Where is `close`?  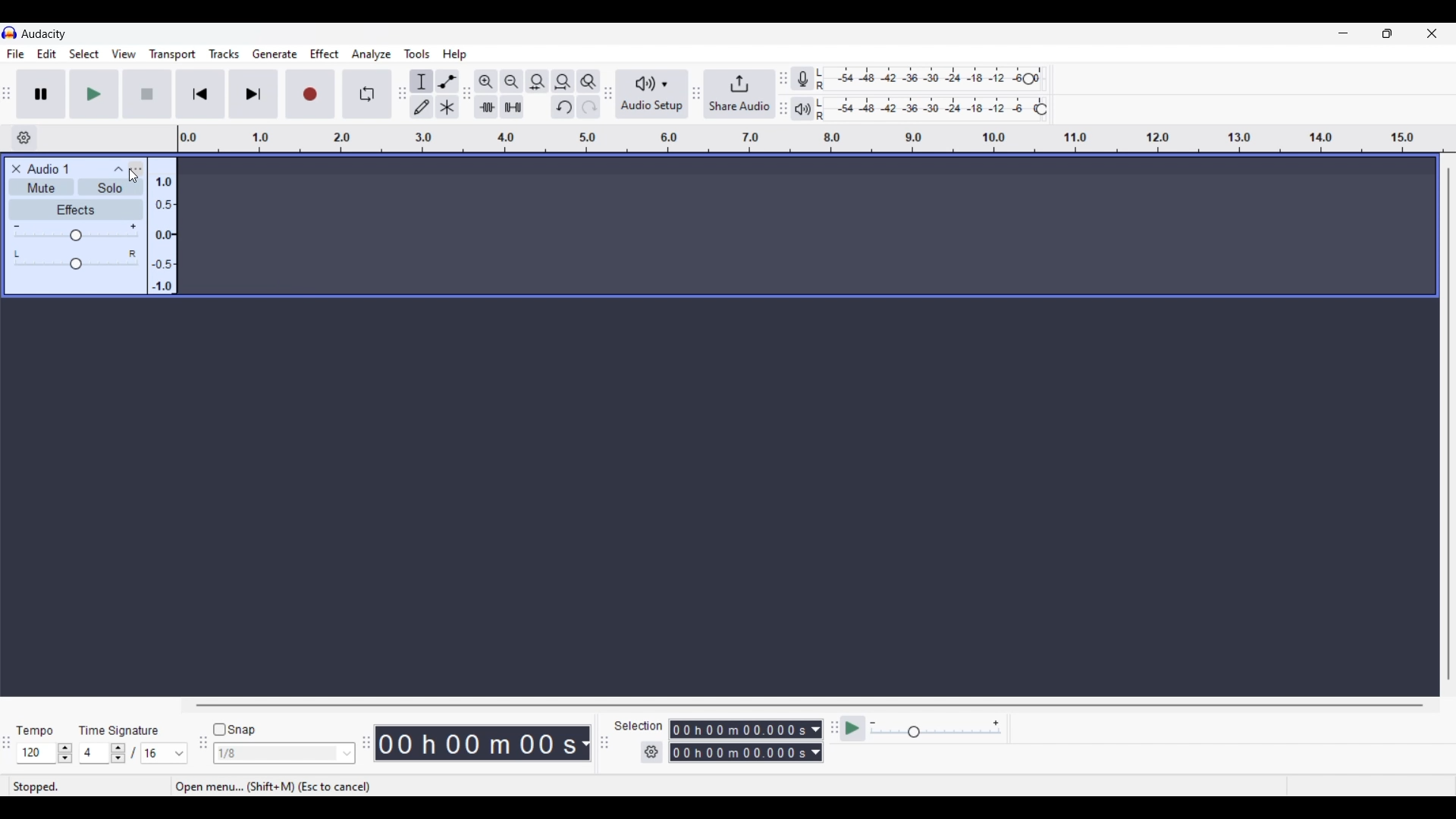 close is located at coordinates (14, 168).